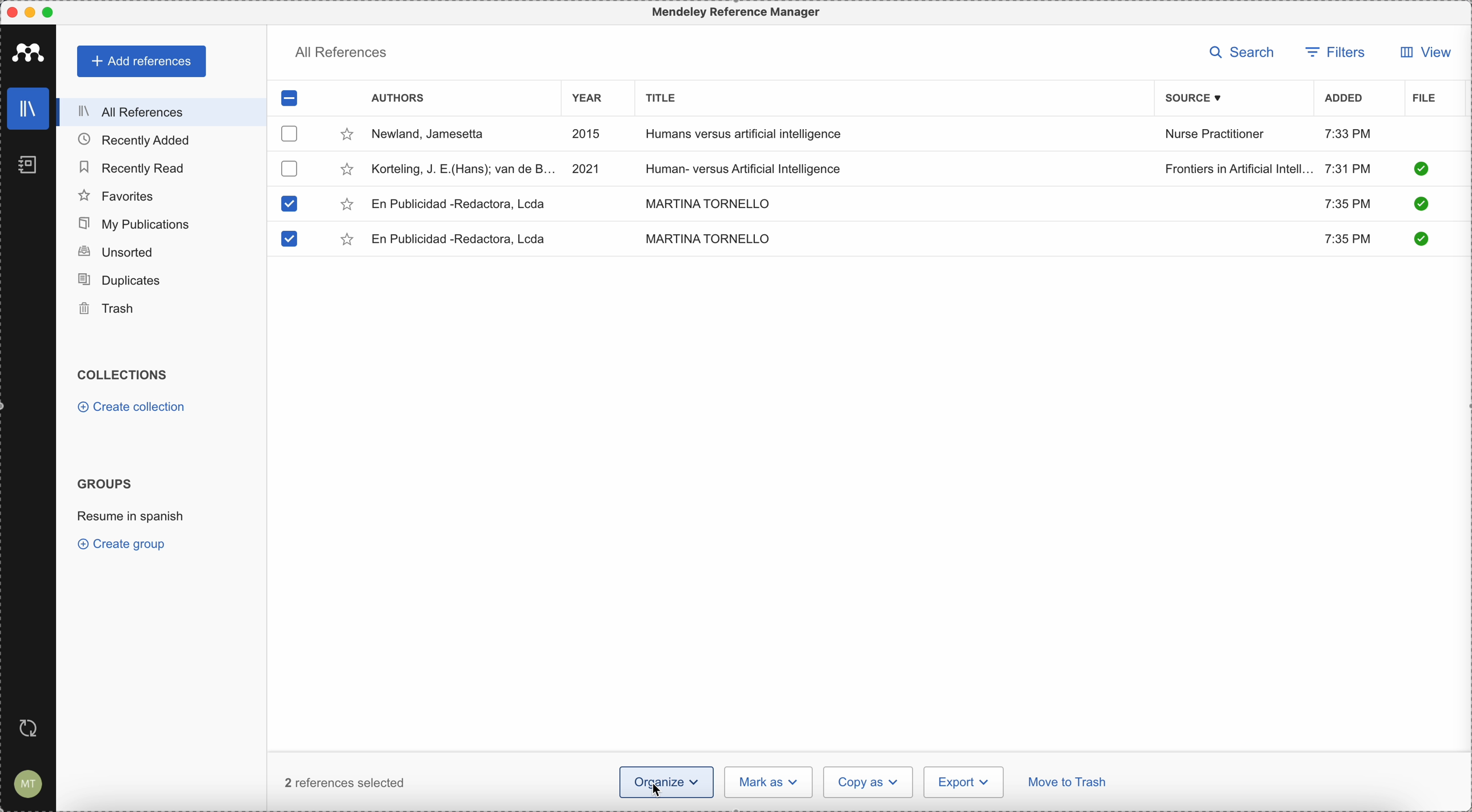 Image resolution: width=1472 pixels, height=812 pixels. I want to click on recently added, so click(143, 139).